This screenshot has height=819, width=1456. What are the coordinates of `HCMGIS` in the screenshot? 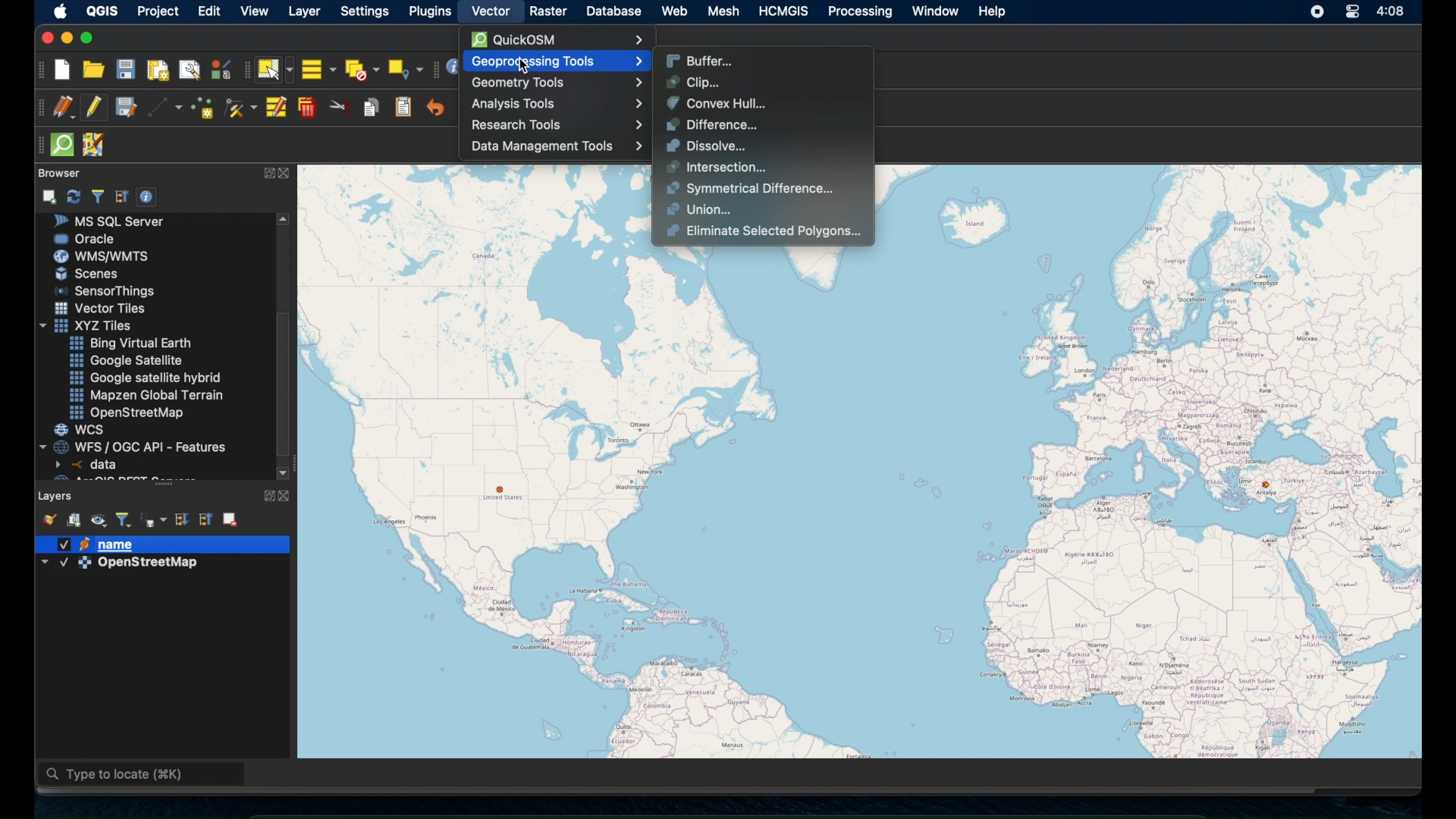 It's located at (786, 11).